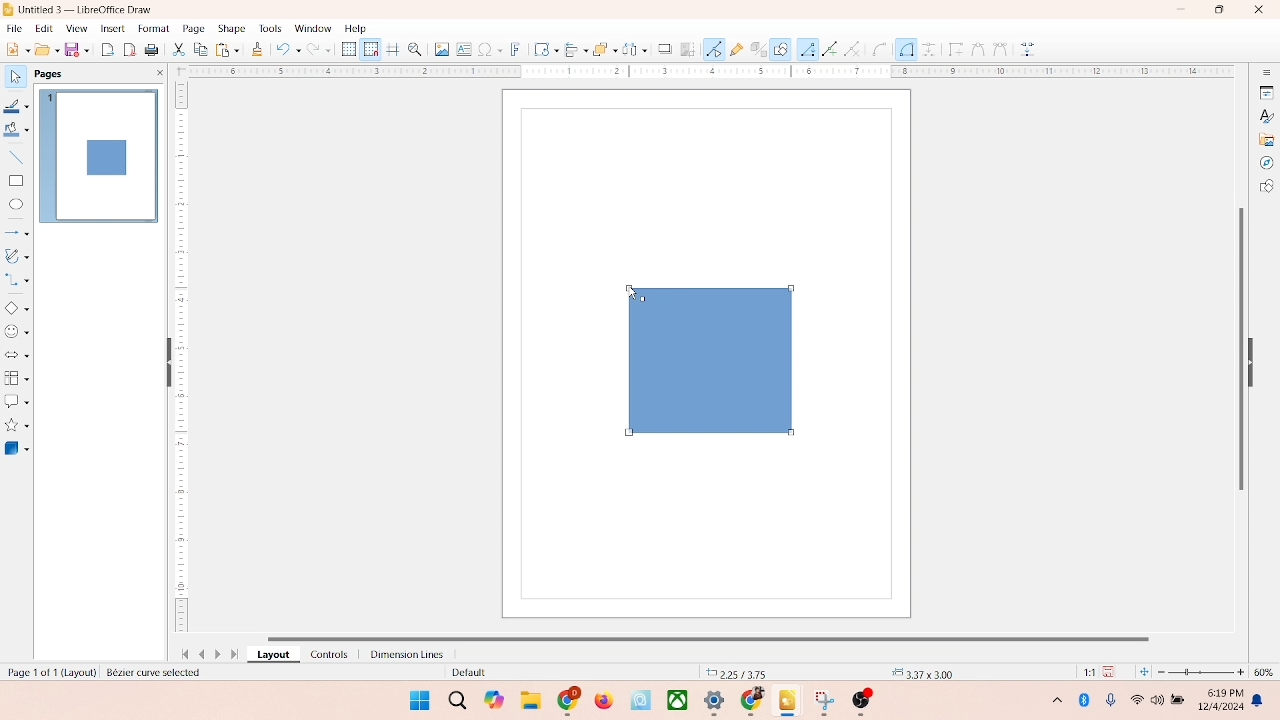 The height and width of the screenshot is (720, 1280). I want to click on close, so click(1254, 11).